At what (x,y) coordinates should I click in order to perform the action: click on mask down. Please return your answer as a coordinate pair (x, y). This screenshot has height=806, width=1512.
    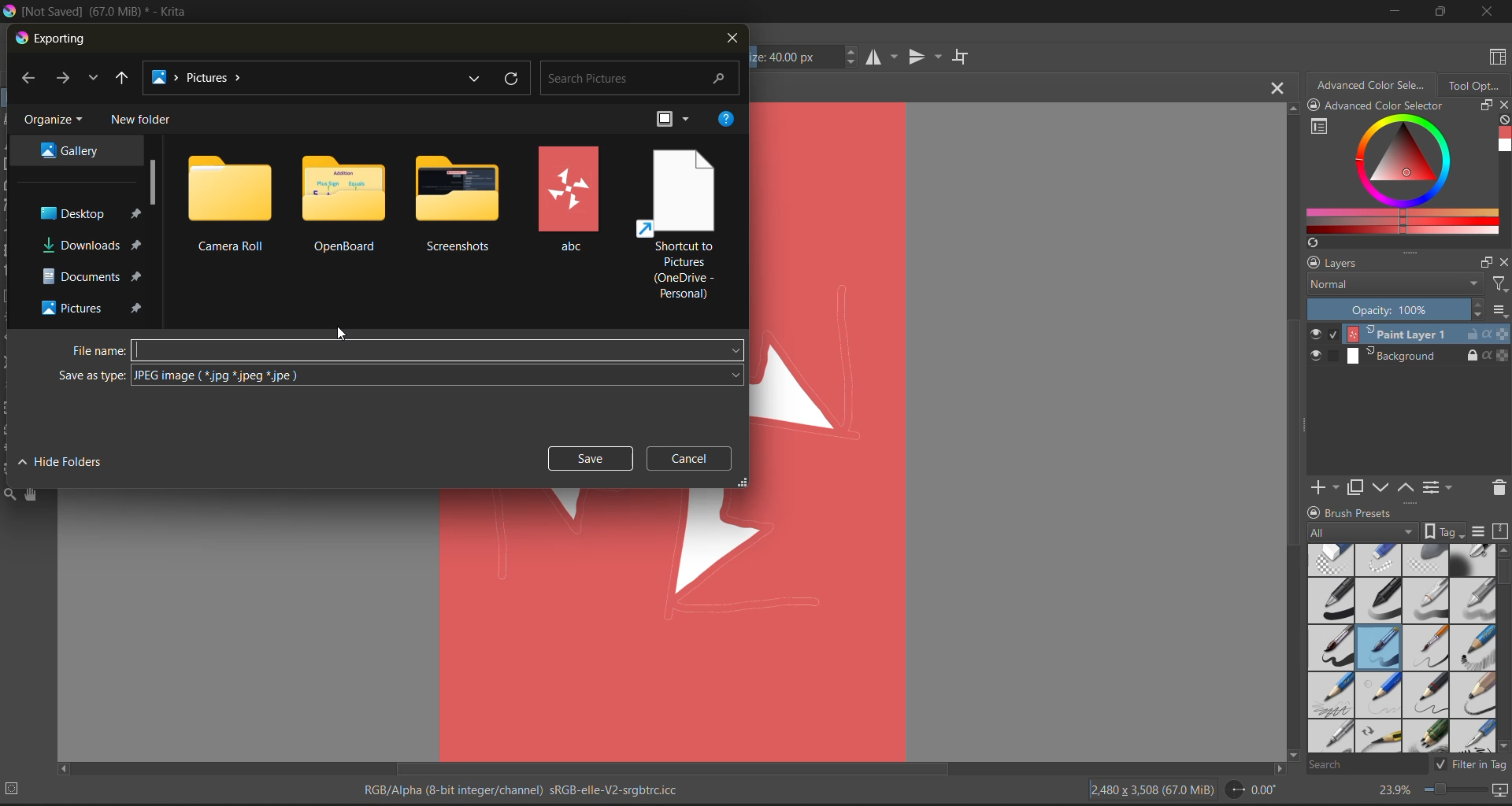
    Looking at the image, I should click on (1384, 487).